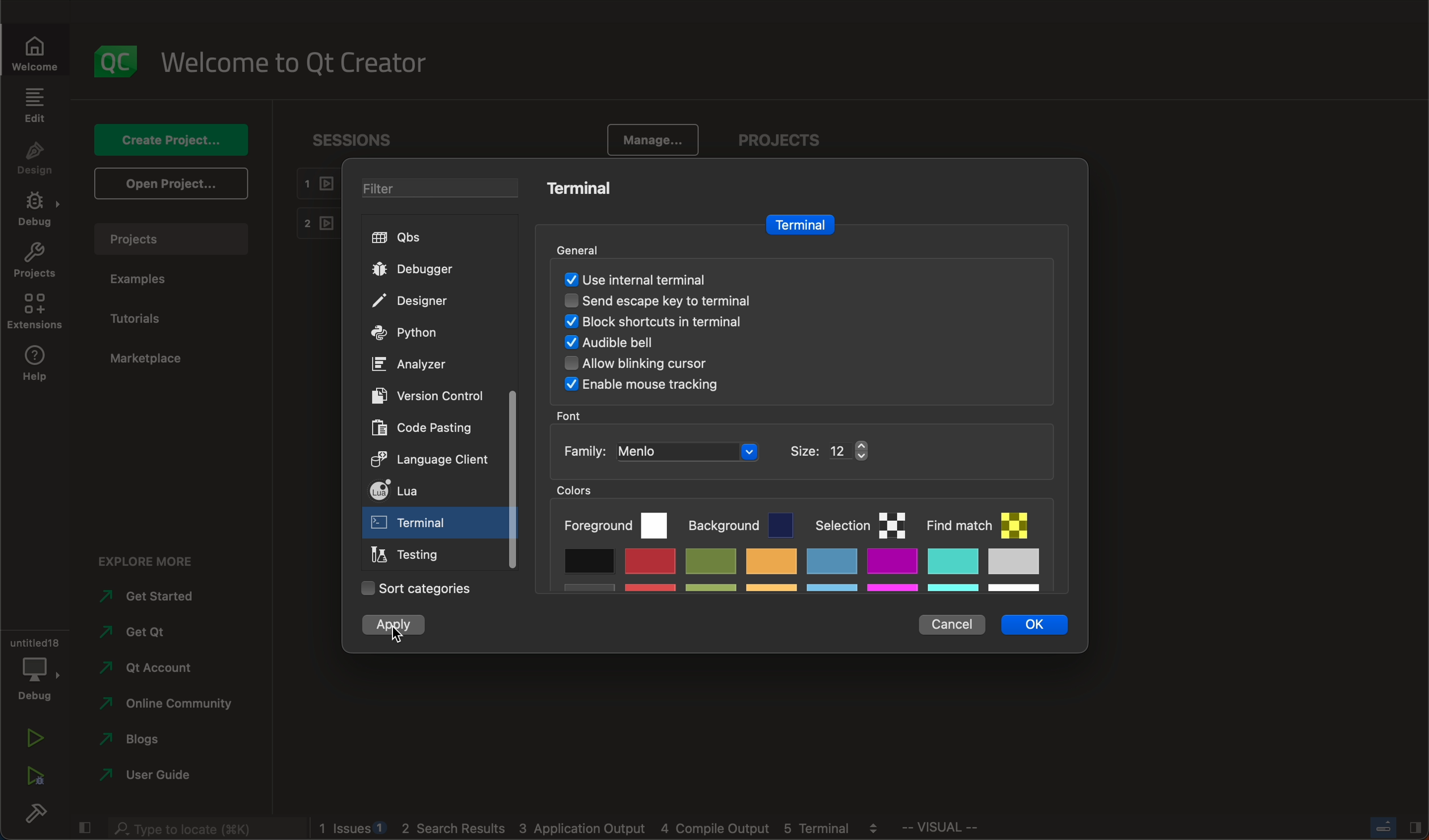 The width and height of the screenshot is (1429, 840). What do you see at coordinates (653, 137) in the screenshot?
I see `manage` at bounding box center [653, 137].